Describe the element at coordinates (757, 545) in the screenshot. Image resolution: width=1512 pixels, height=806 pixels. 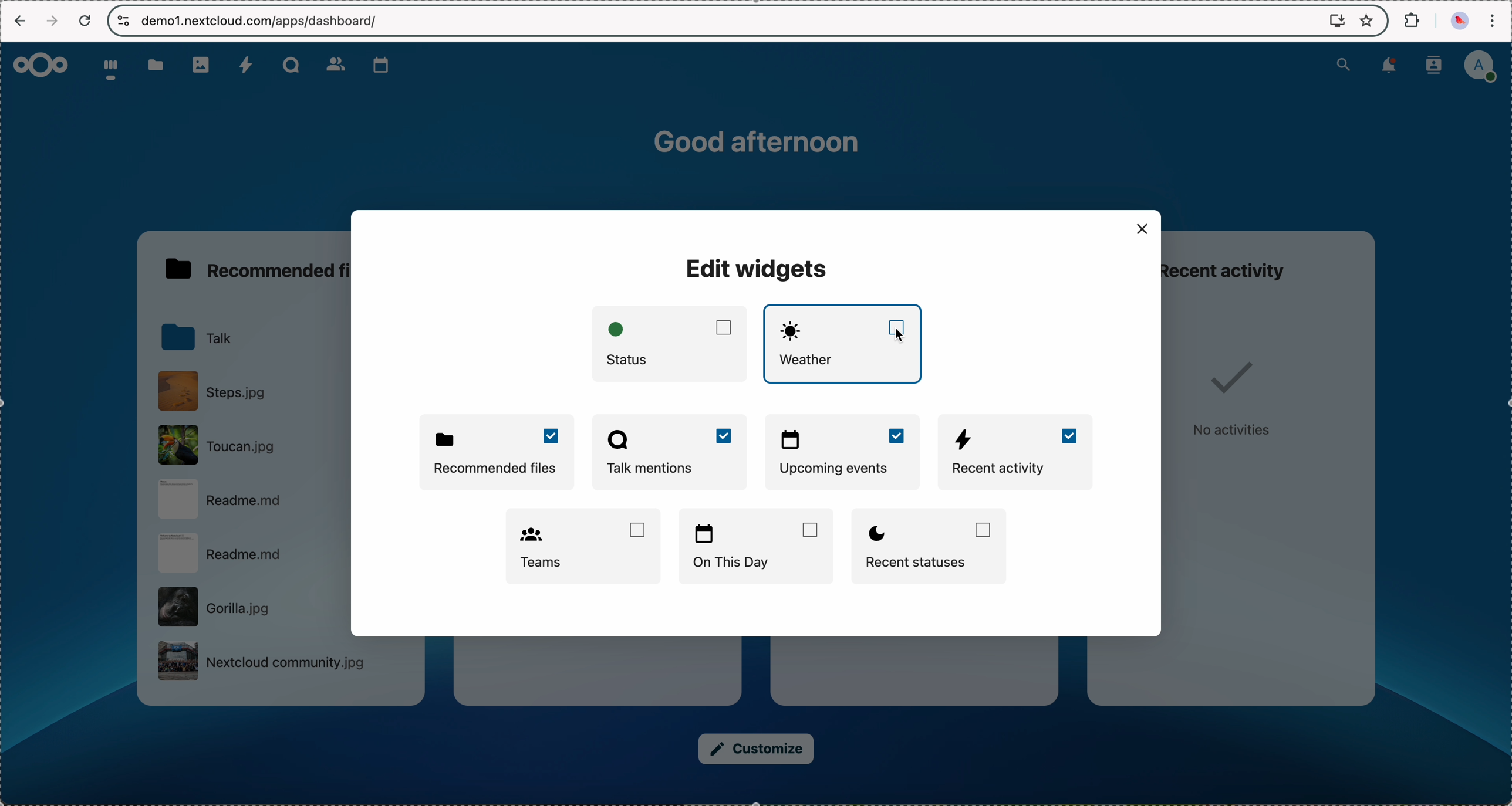
I see `on this day` at that location.